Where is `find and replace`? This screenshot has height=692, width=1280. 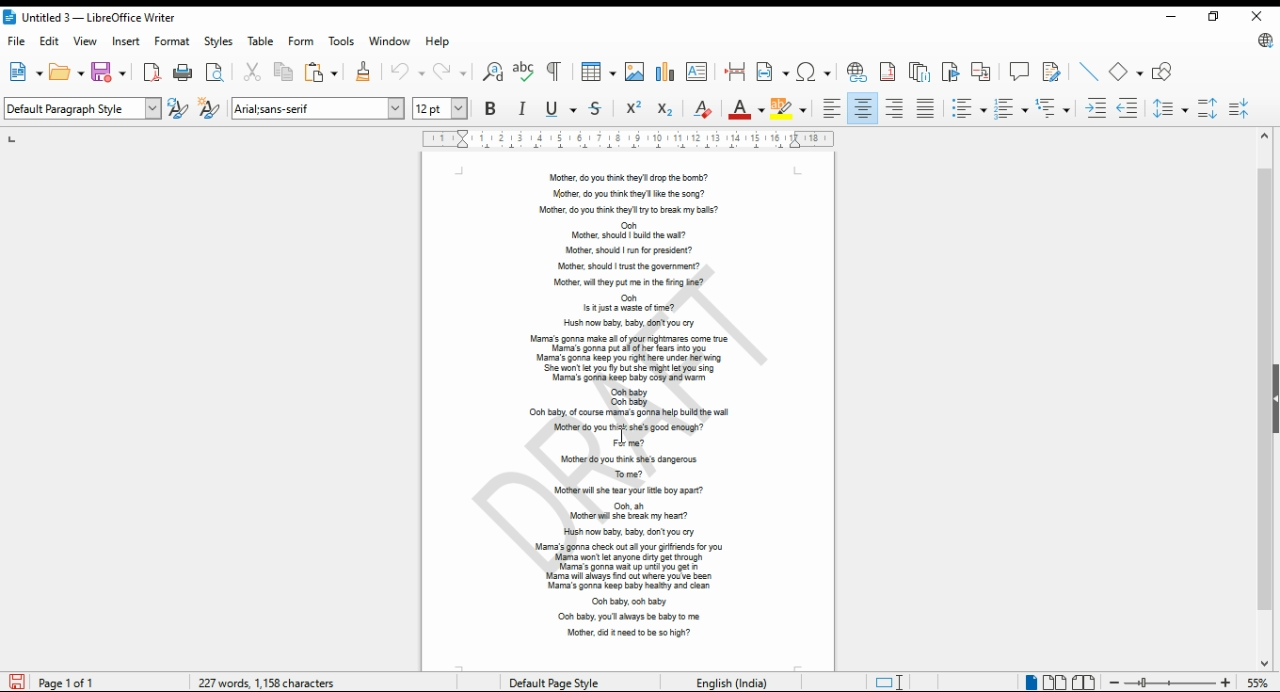 find and replace is located at coordinates (493, 72).